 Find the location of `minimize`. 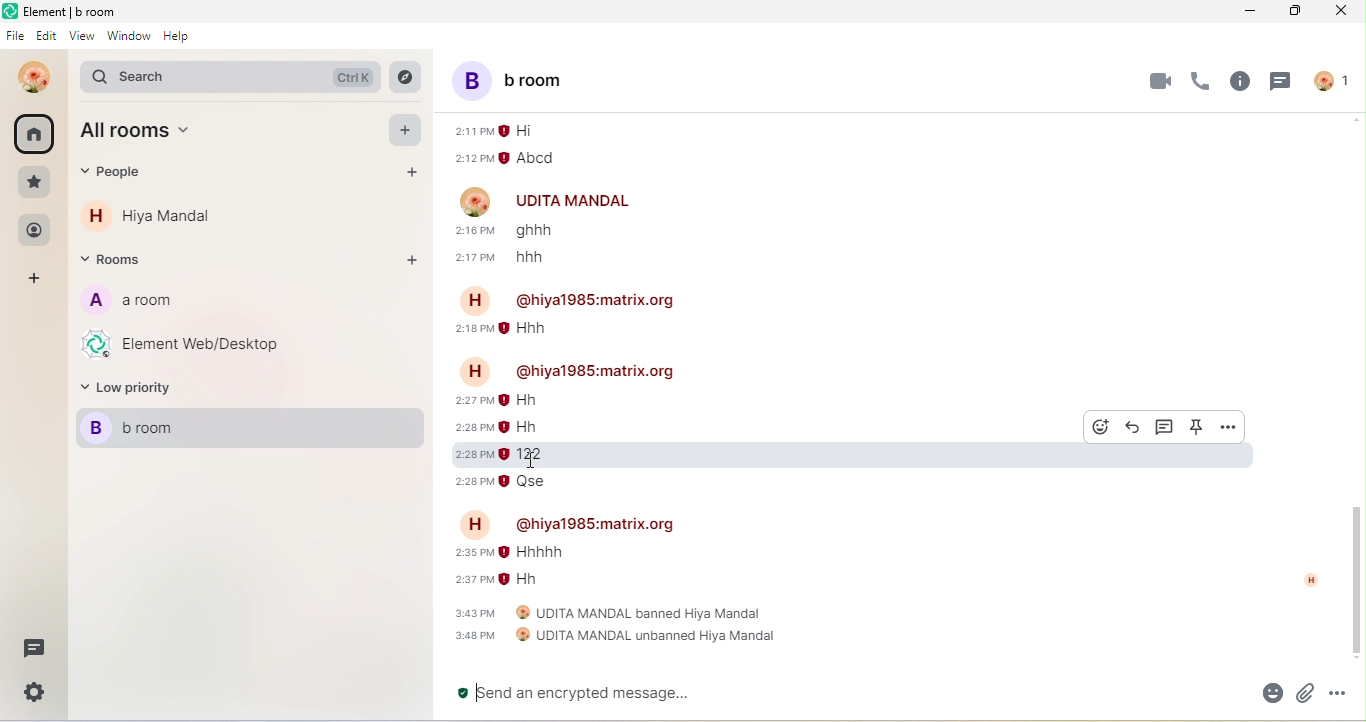

minimize is located at coordinates (1249, 12).